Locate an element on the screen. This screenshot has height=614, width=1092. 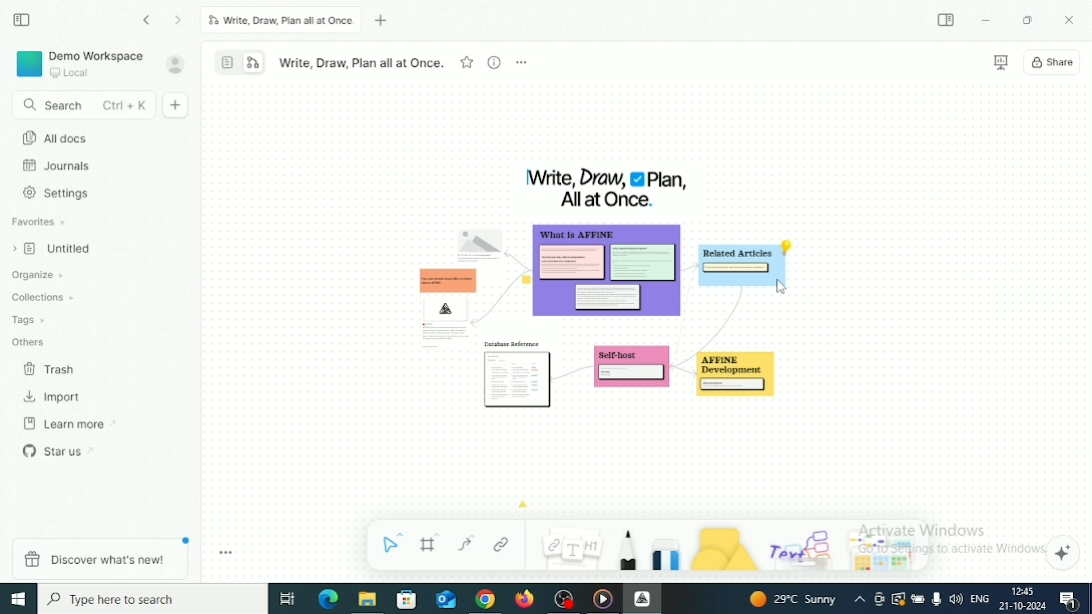
Cursor is located at coordinates (782, 289).